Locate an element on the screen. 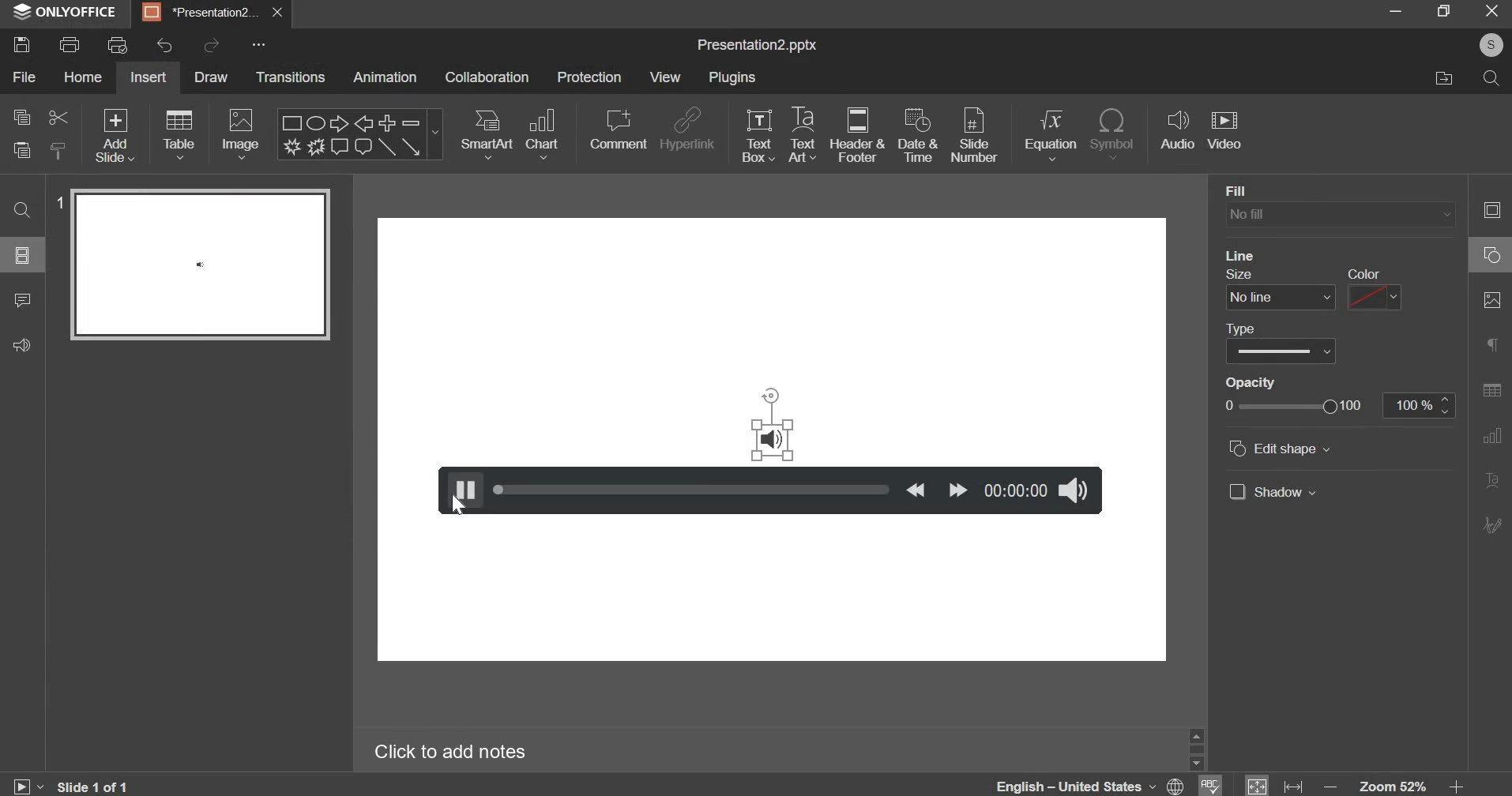 The width and height of the screenshot is (1512, 796). slide is located at coordinates (23, 256).